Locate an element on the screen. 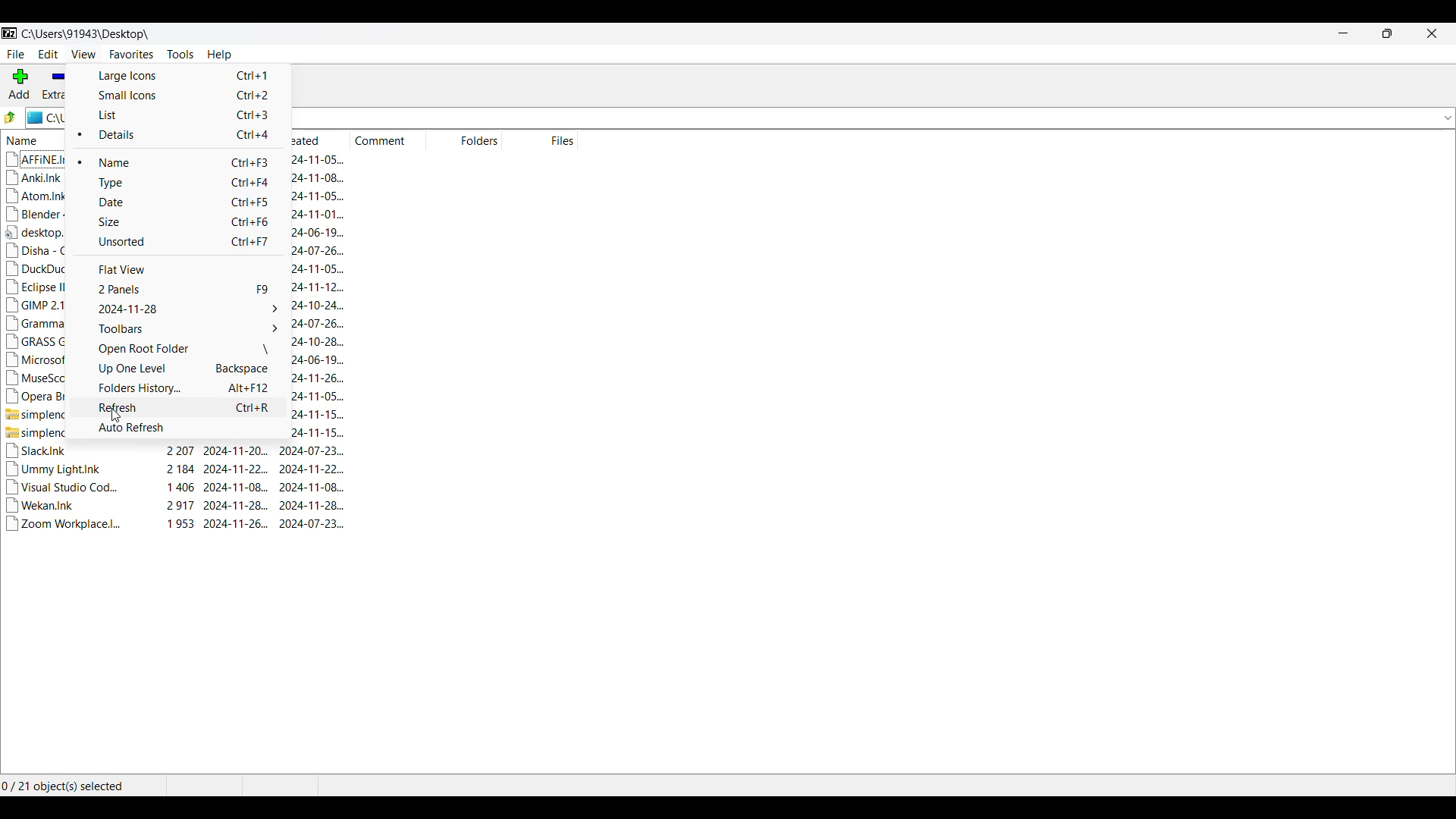 This screenshot has width=1456, height=819. Visual Studio Cod... 1406 2024-11-08.. 2024-11-08... is located at coordinates (180, 487).